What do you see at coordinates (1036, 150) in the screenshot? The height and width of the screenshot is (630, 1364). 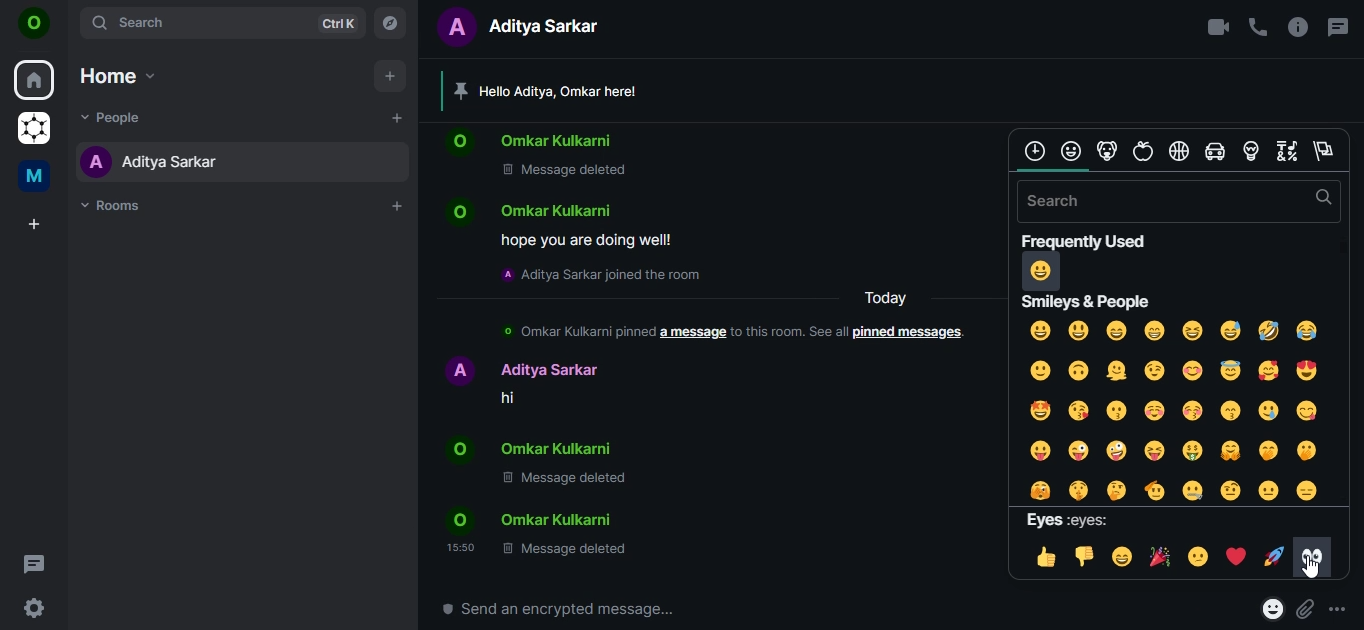 I see `frequently used` at bounding box center [1036, 150].